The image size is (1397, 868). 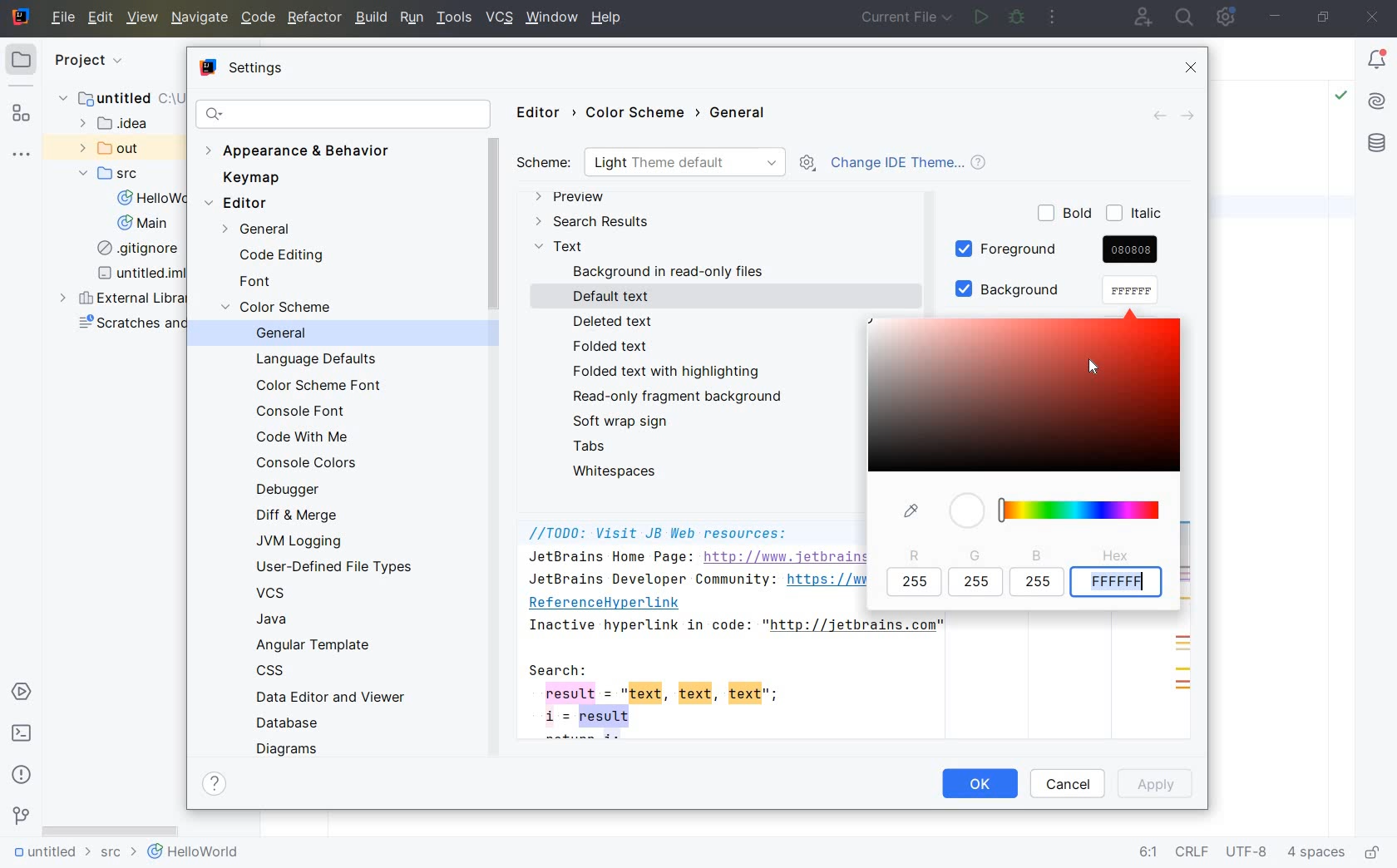 What do you see at coordinates (24, 155) in the screenshot?
I see `more tool windows` at bounding box center [24, 155].